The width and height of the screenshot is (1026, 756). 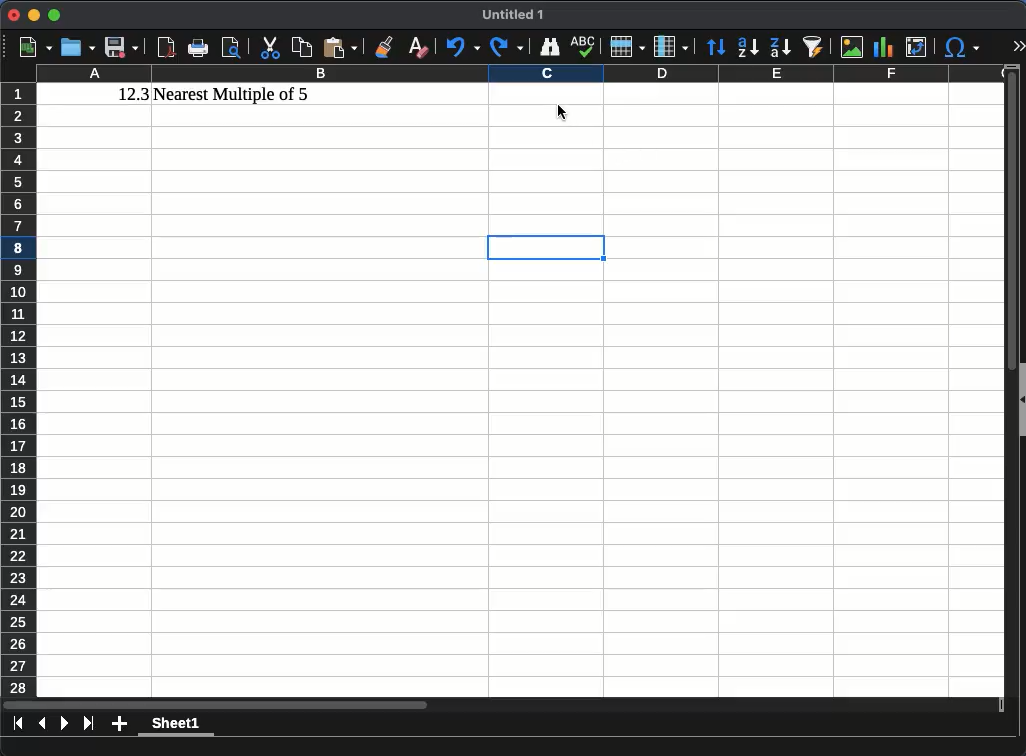 I want to click on sheet1, so click(x=177, y=725).